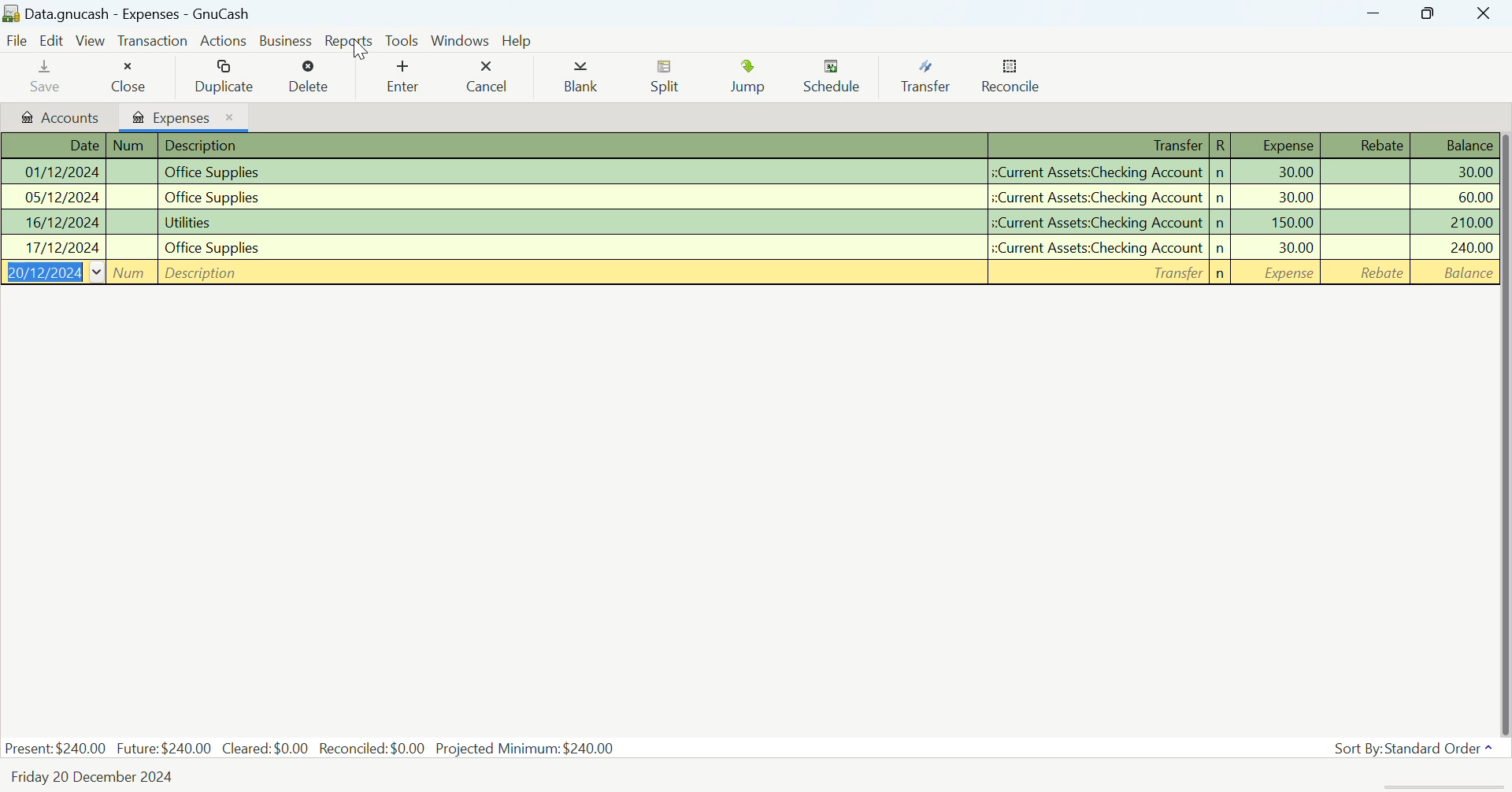 This screenshot has height=792, width=1512. I want to click on Accounts Tab, so click(60, 119).